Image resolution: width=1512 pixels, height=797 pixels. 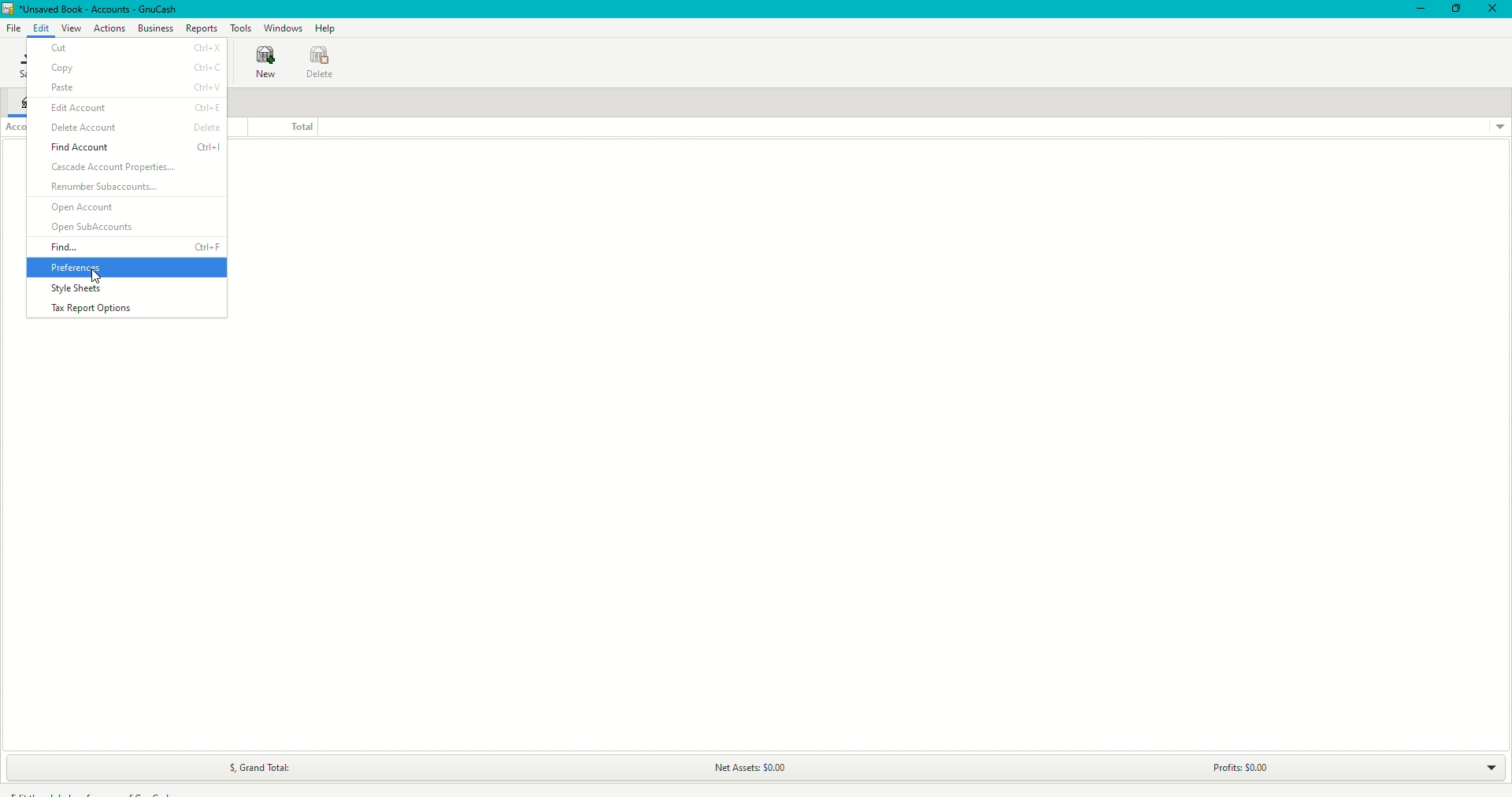 What do you see at coordinates (85, 209) in the screenshot?
I see `Open Account` at bounding box center [85, 209].